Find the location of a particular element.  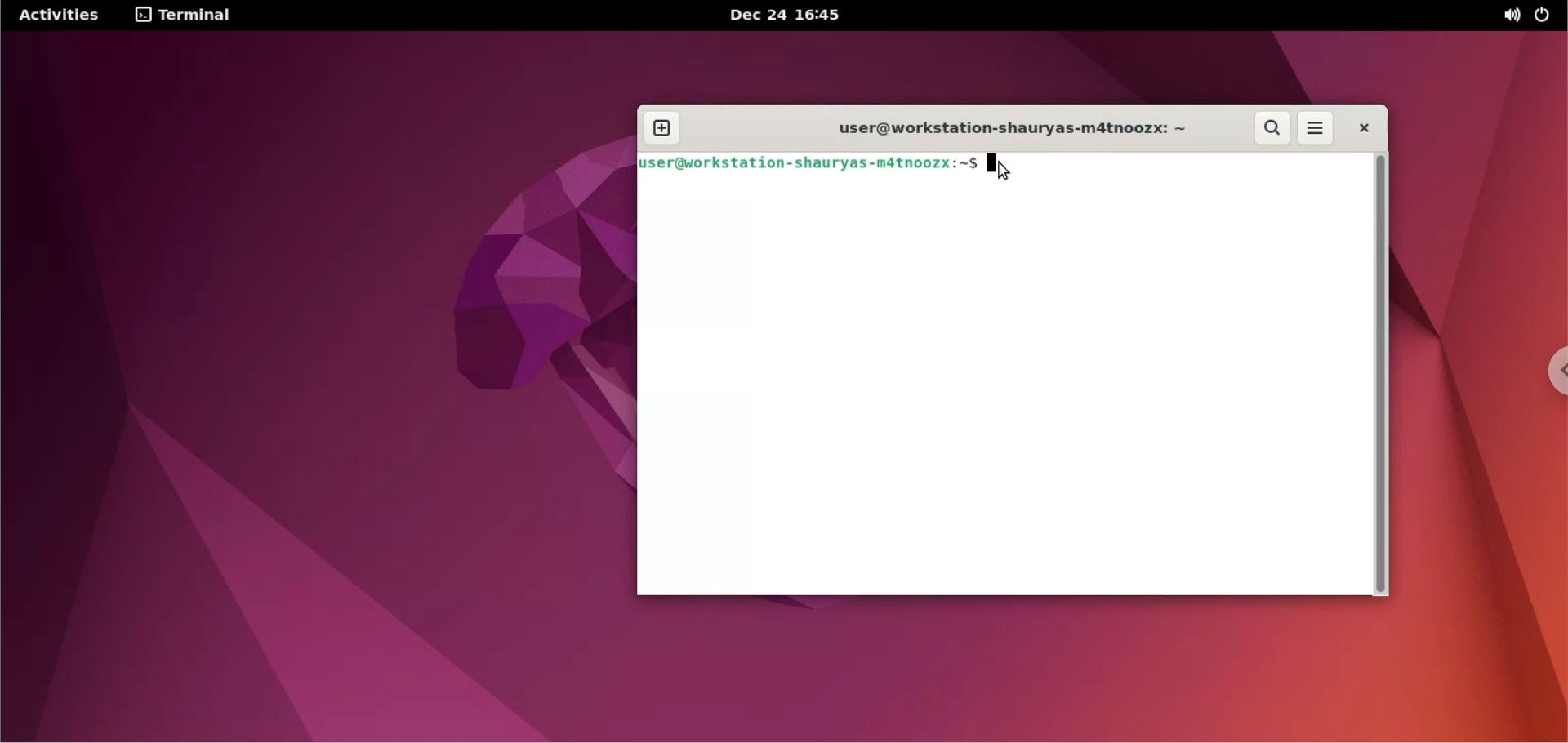

search  is located at coordinates (1275, 128).